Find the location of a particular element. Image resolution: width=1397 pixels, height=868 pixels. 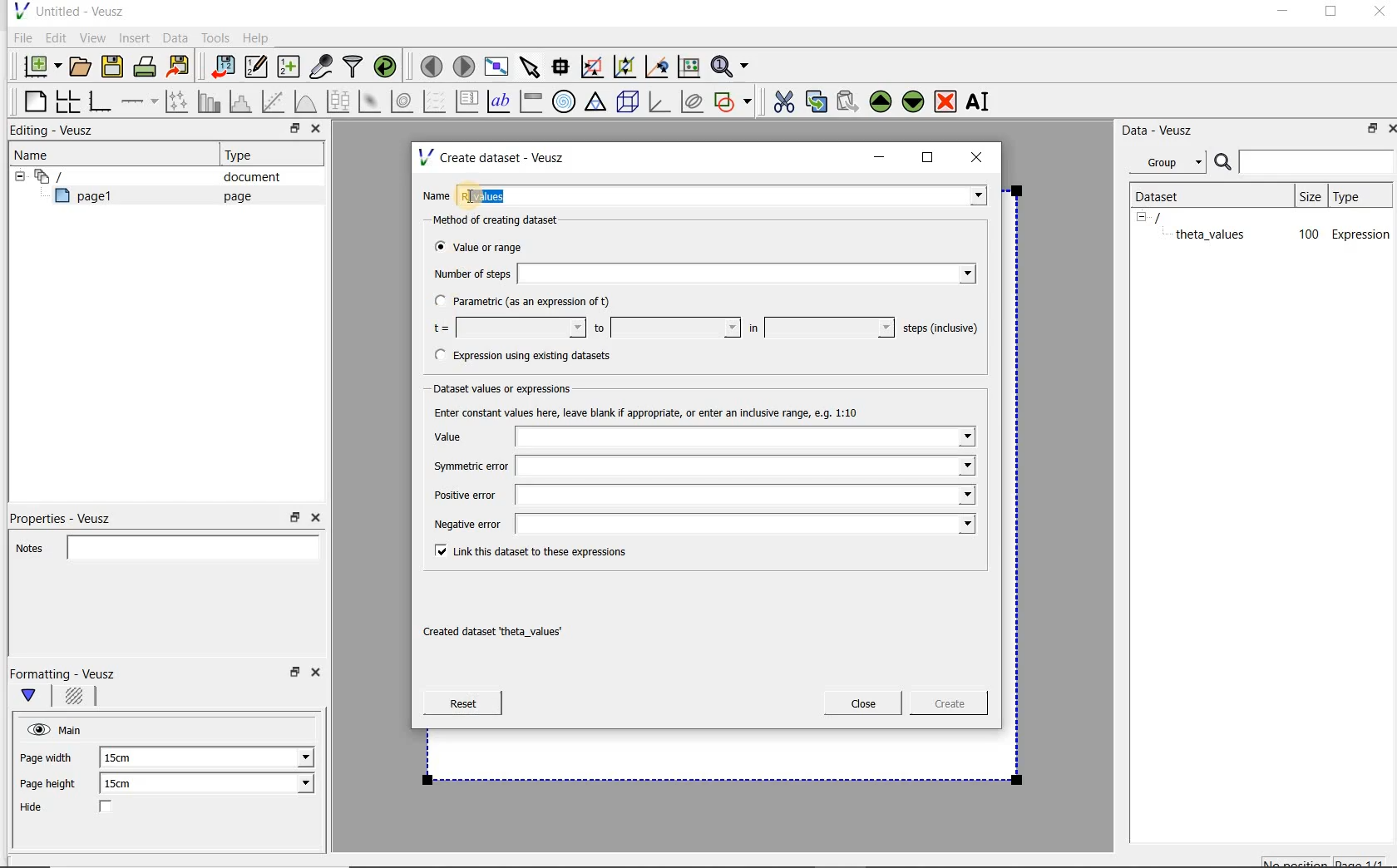

plot a 2d dataset as contours is located at coordinates (403, 101).